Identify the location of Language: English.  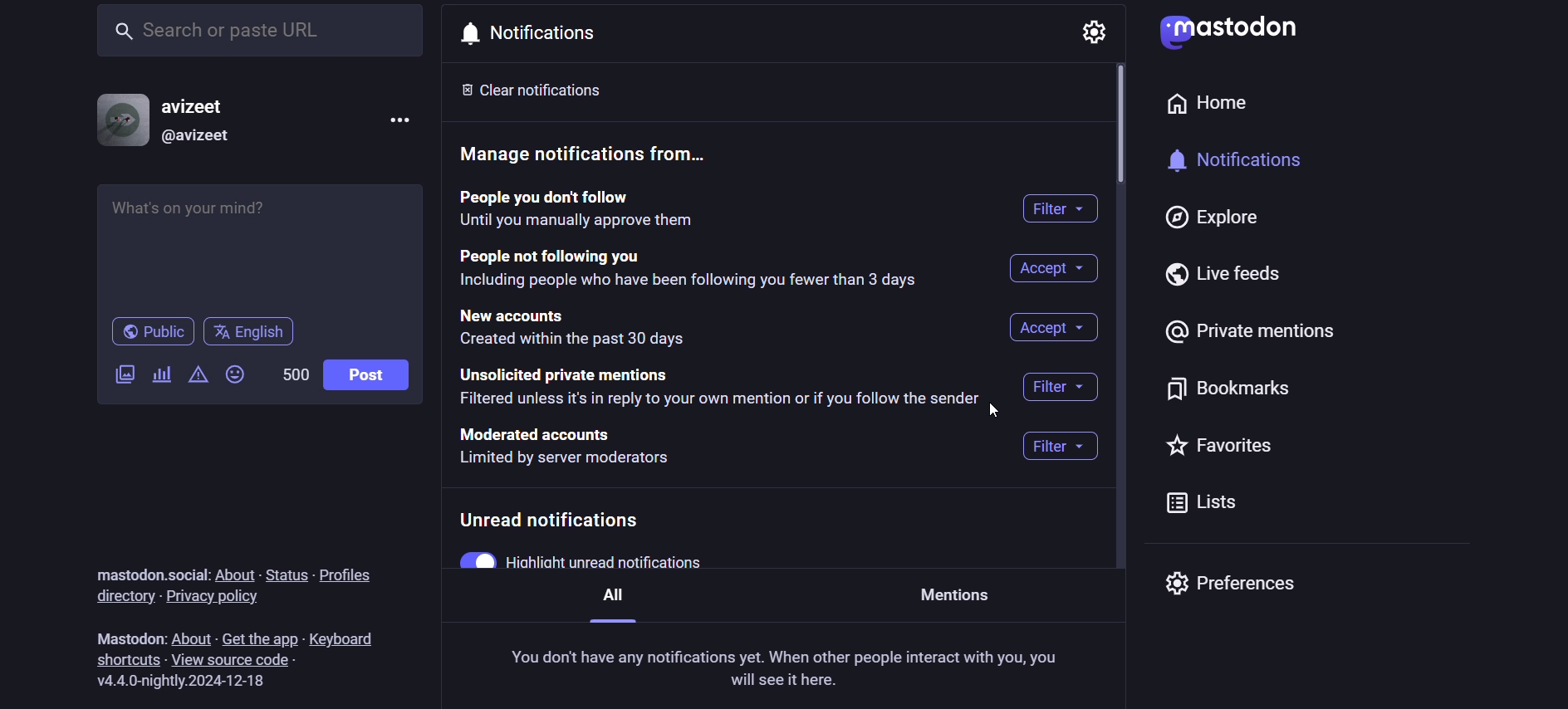
(256, 333).